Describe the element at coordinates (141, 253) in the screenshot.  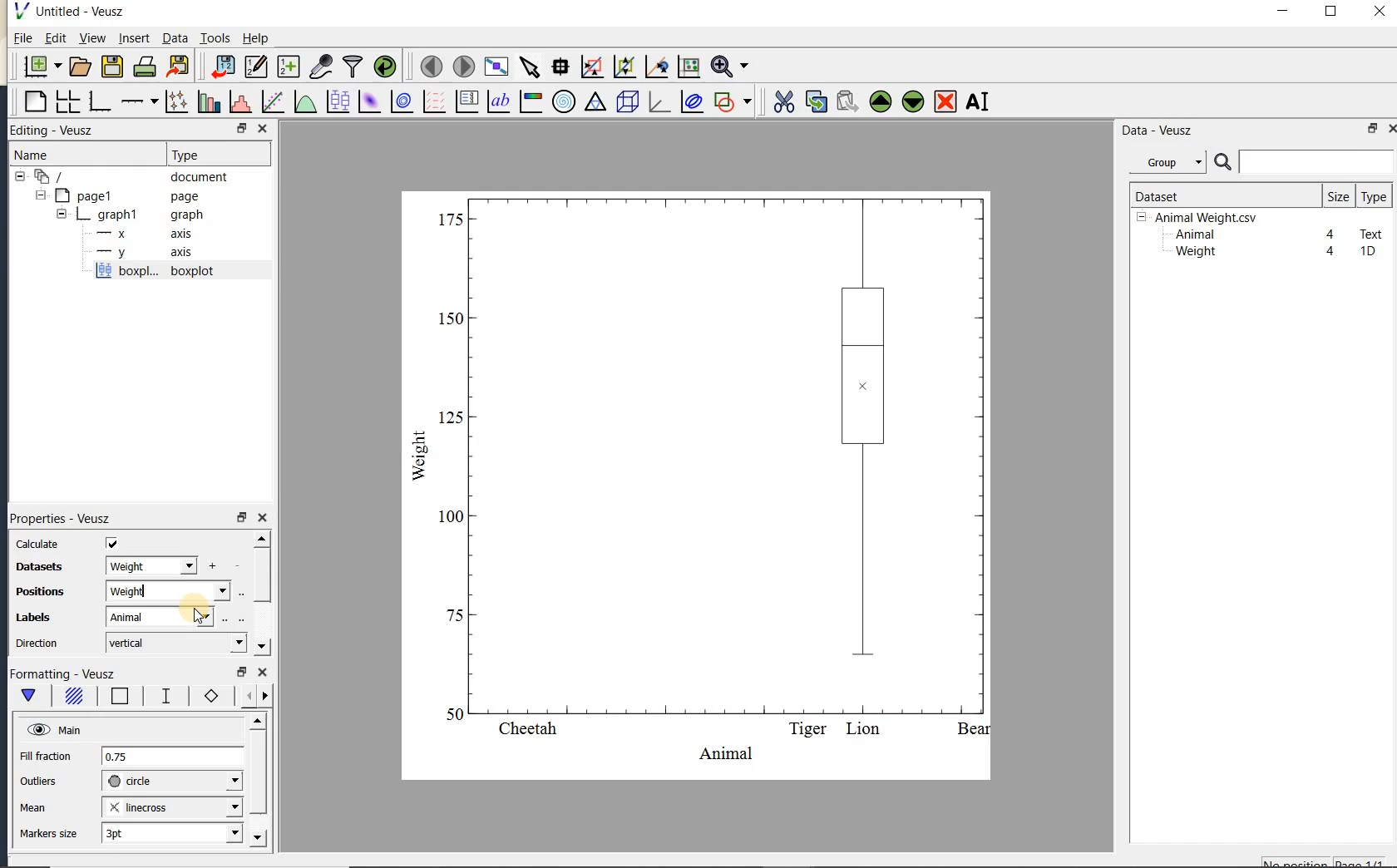
I see `axis` at that location.